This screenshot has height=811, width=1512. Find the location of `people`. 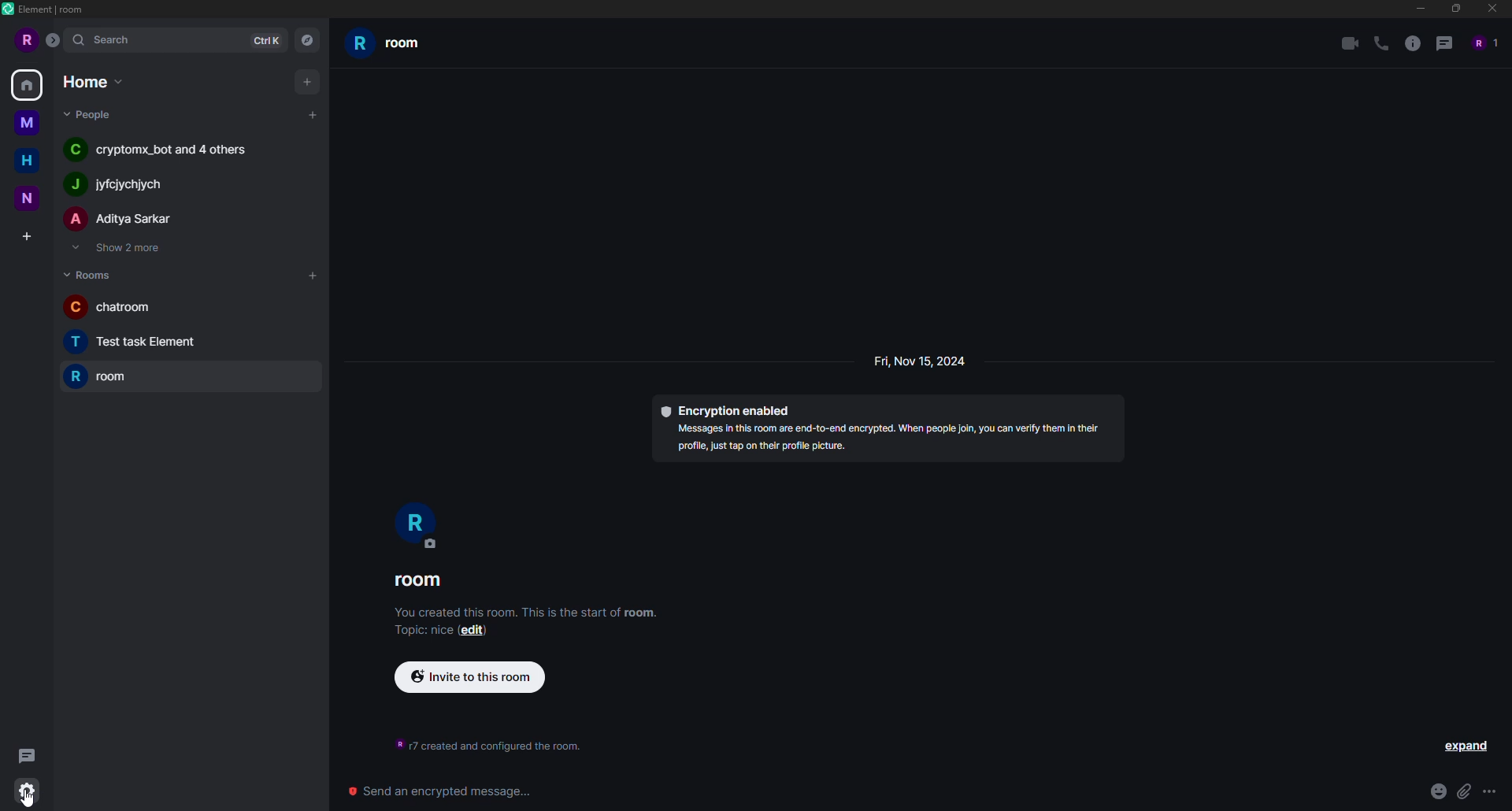

people is located at coordinates (90, 115).